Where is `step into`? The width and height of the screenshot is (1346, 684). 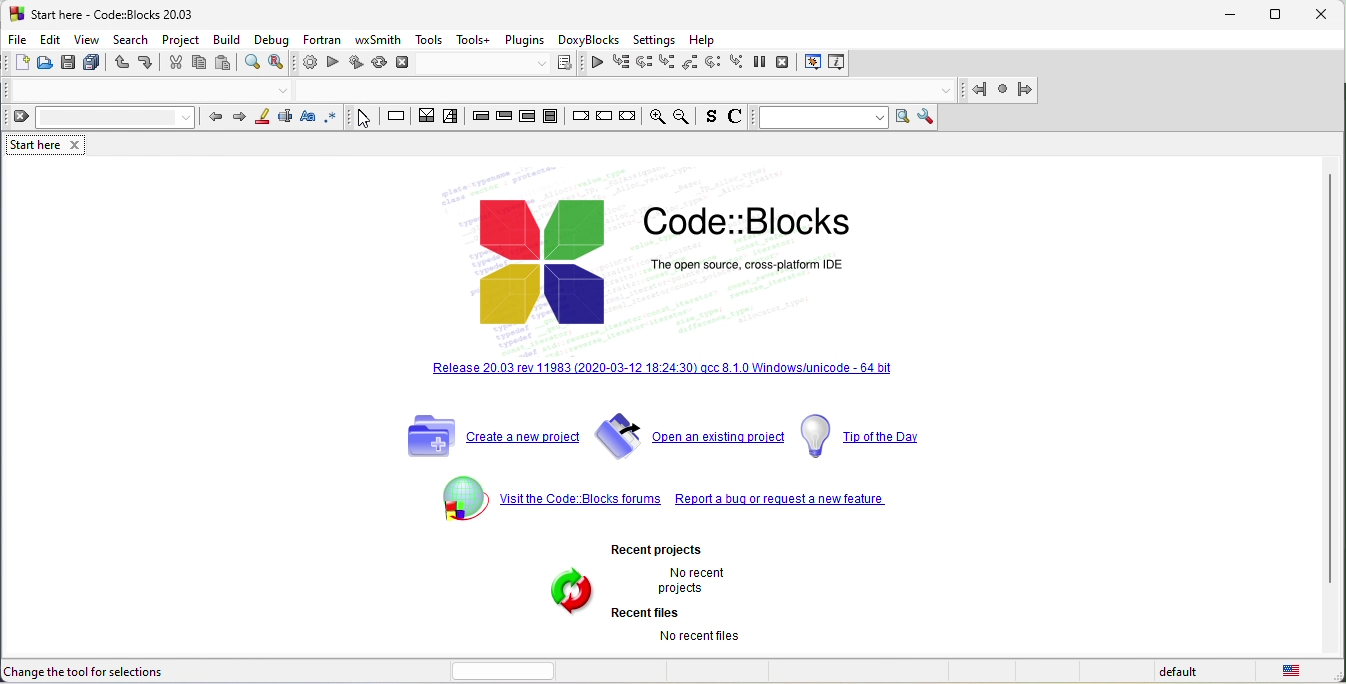 step into is located at coordinates (669, 65).